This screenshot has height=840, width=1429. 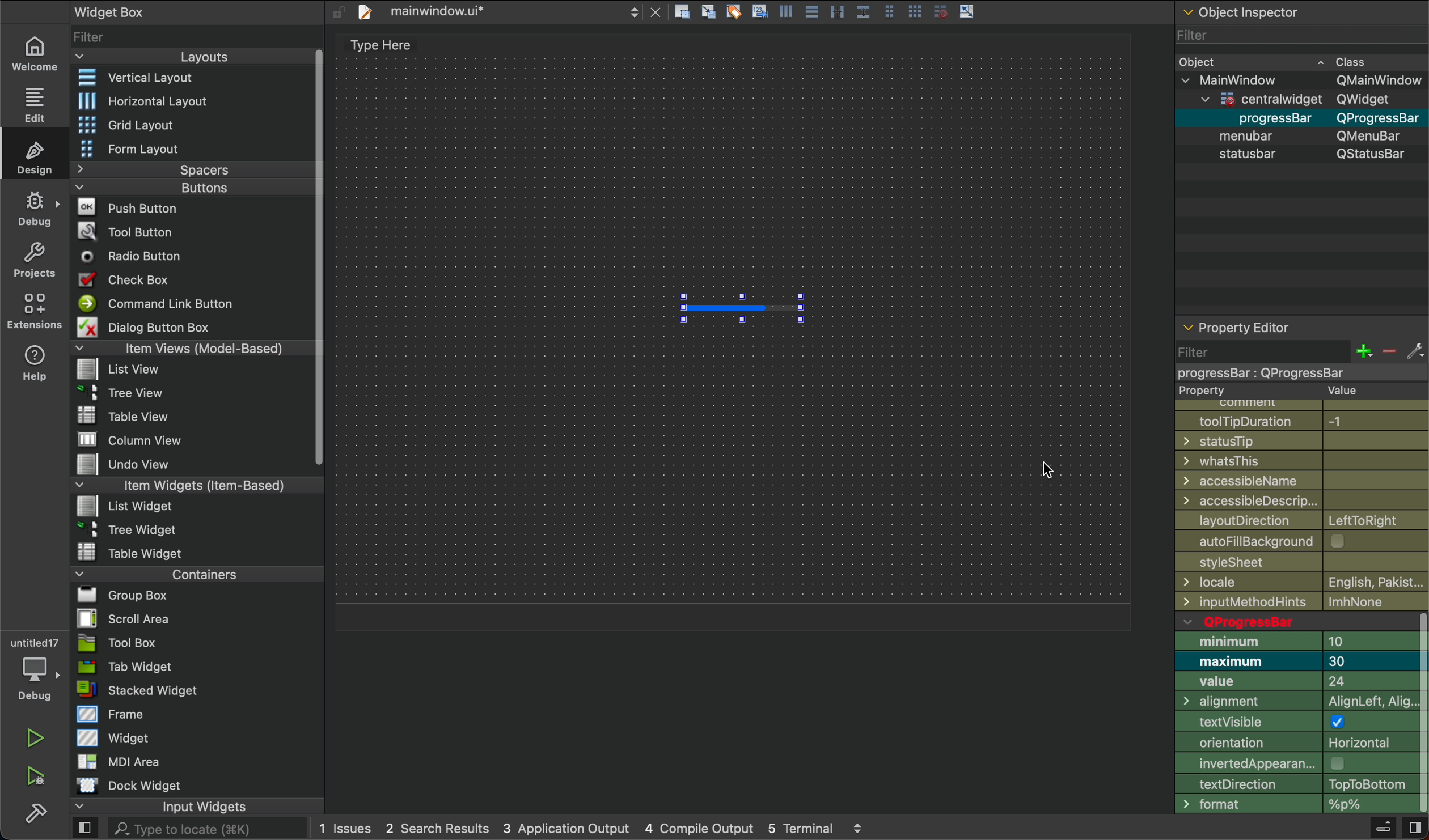 I want to click on File, so click(x=116, y=595).